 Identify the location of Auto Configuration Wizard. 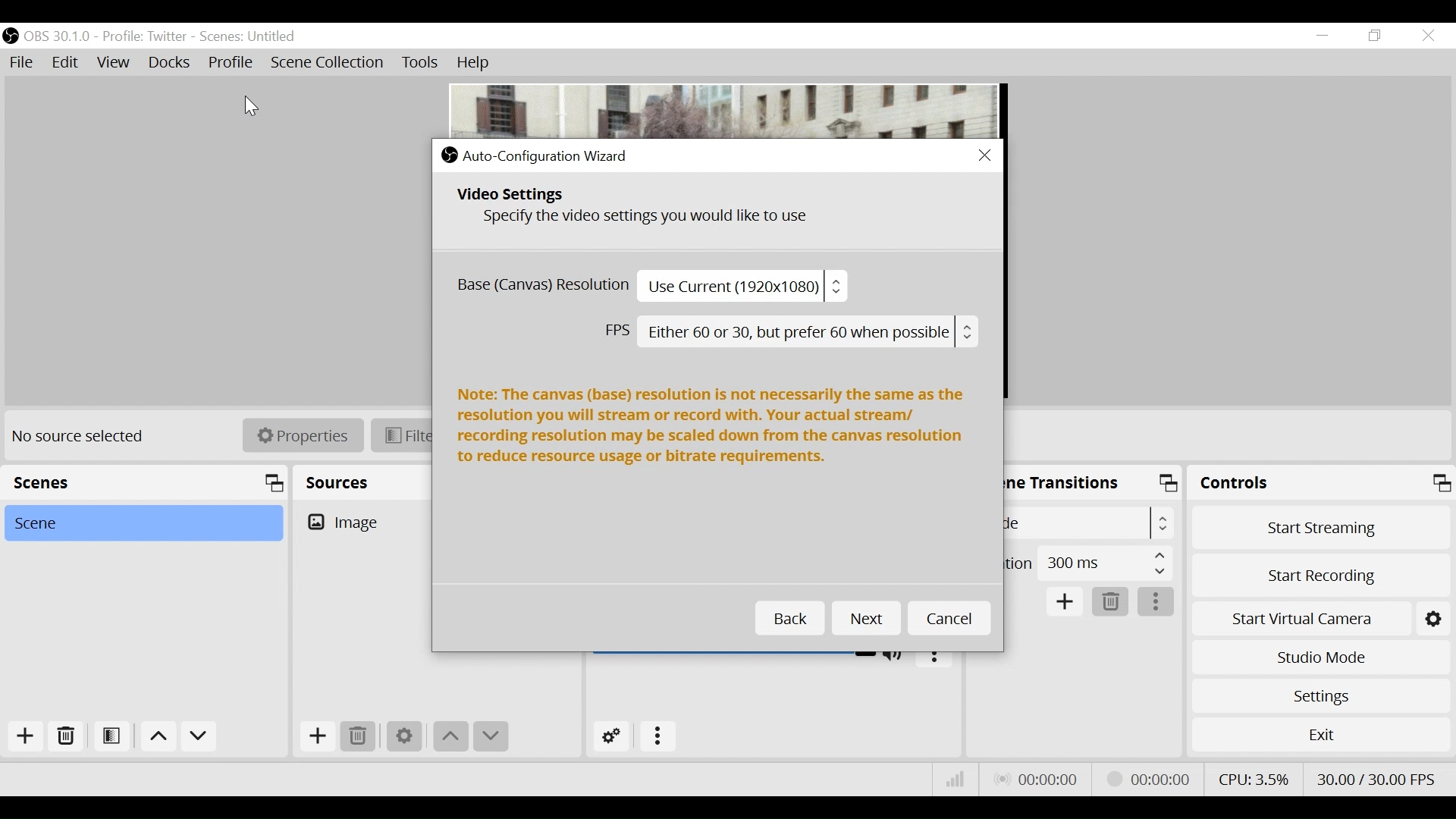
(536, 155).